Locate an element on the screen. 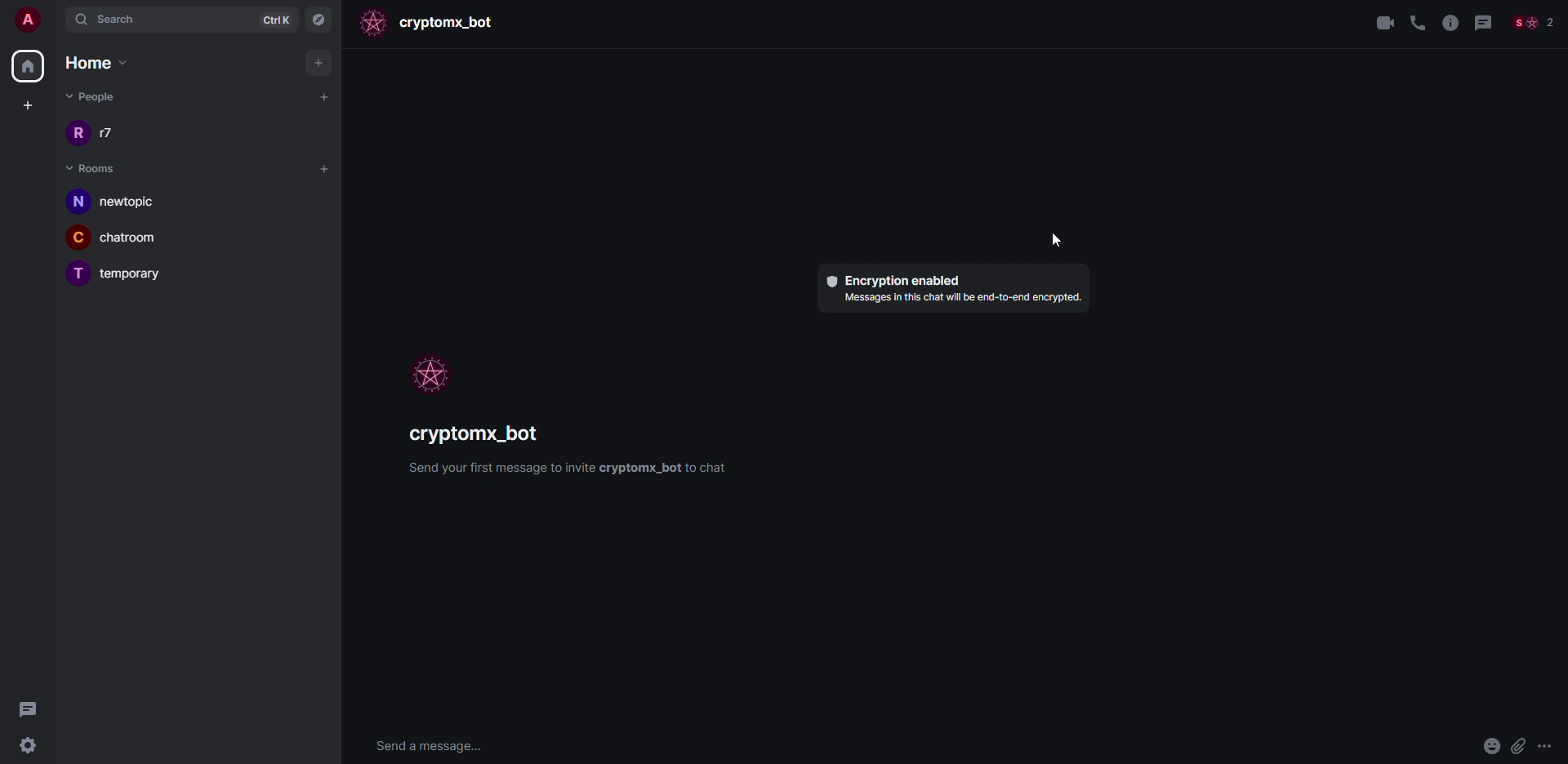  r7 is located at coordinates (114, 132).